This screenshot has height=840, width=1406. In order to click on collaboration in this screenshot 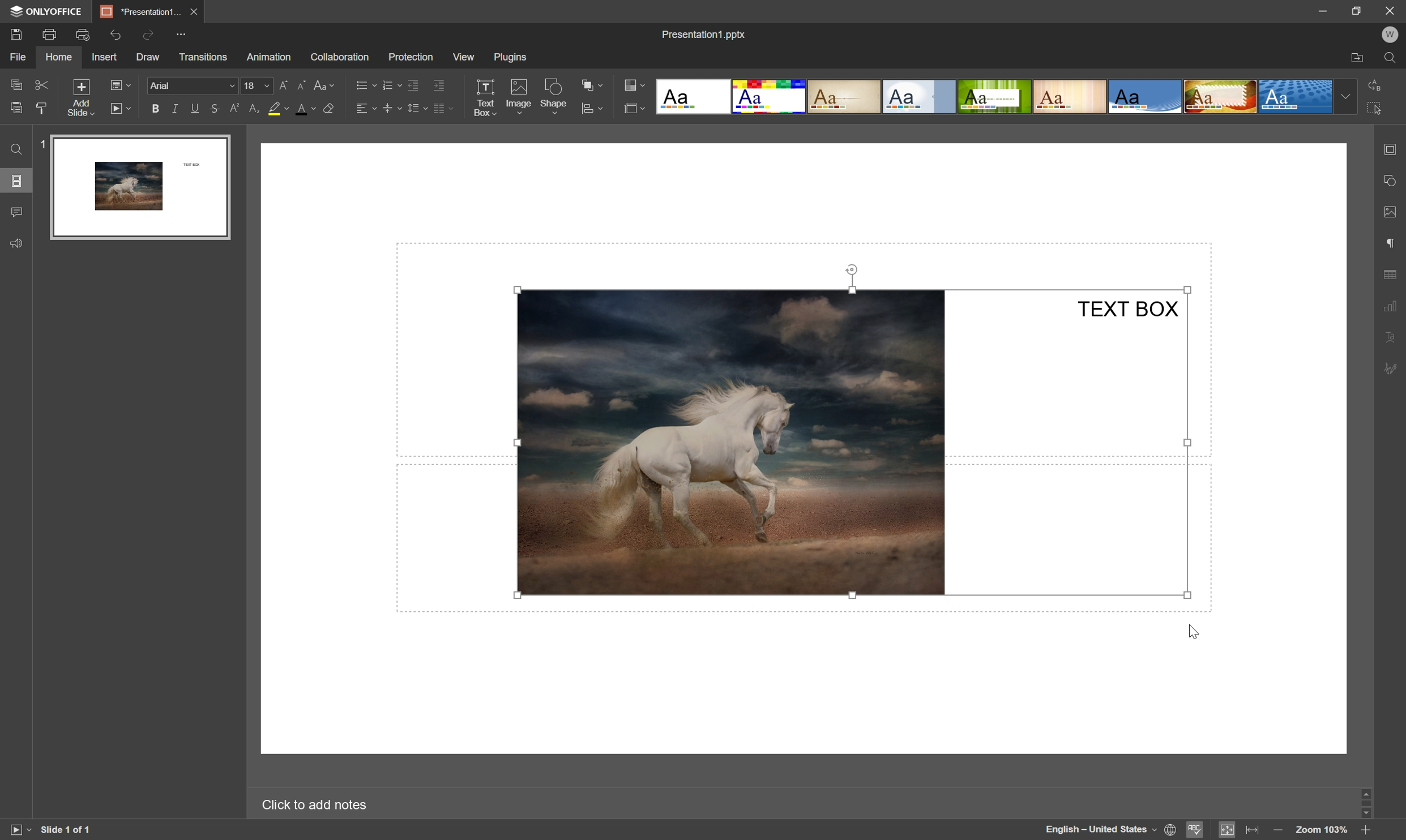, I will do `click(342, 58)`.